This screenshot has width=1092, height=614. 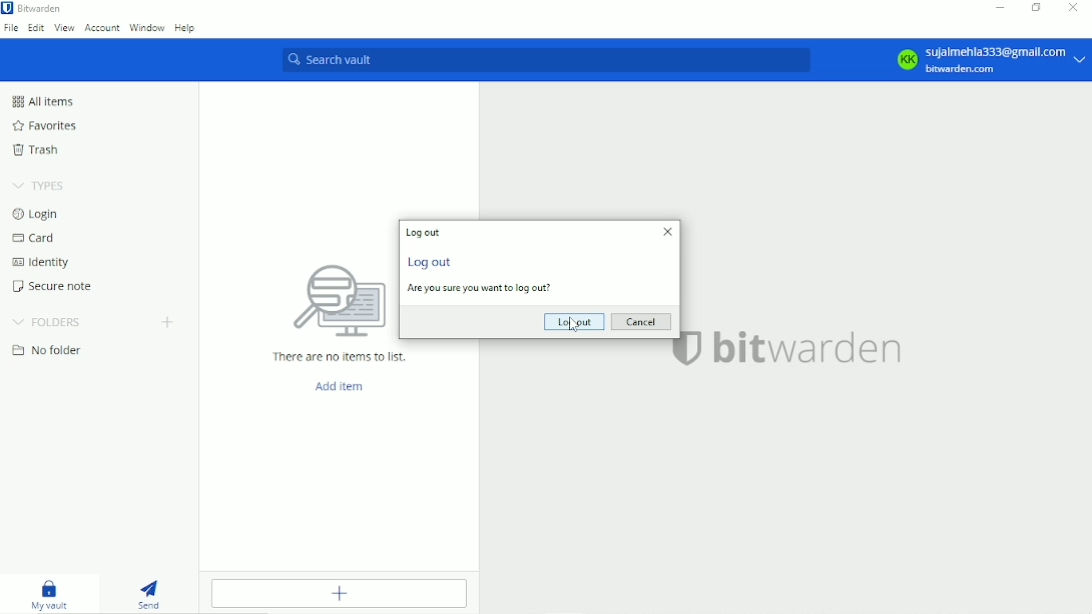 What do you see at coordinates (100, 28) in the screenshot?
I see `Account` at bounding box center [100, 28].